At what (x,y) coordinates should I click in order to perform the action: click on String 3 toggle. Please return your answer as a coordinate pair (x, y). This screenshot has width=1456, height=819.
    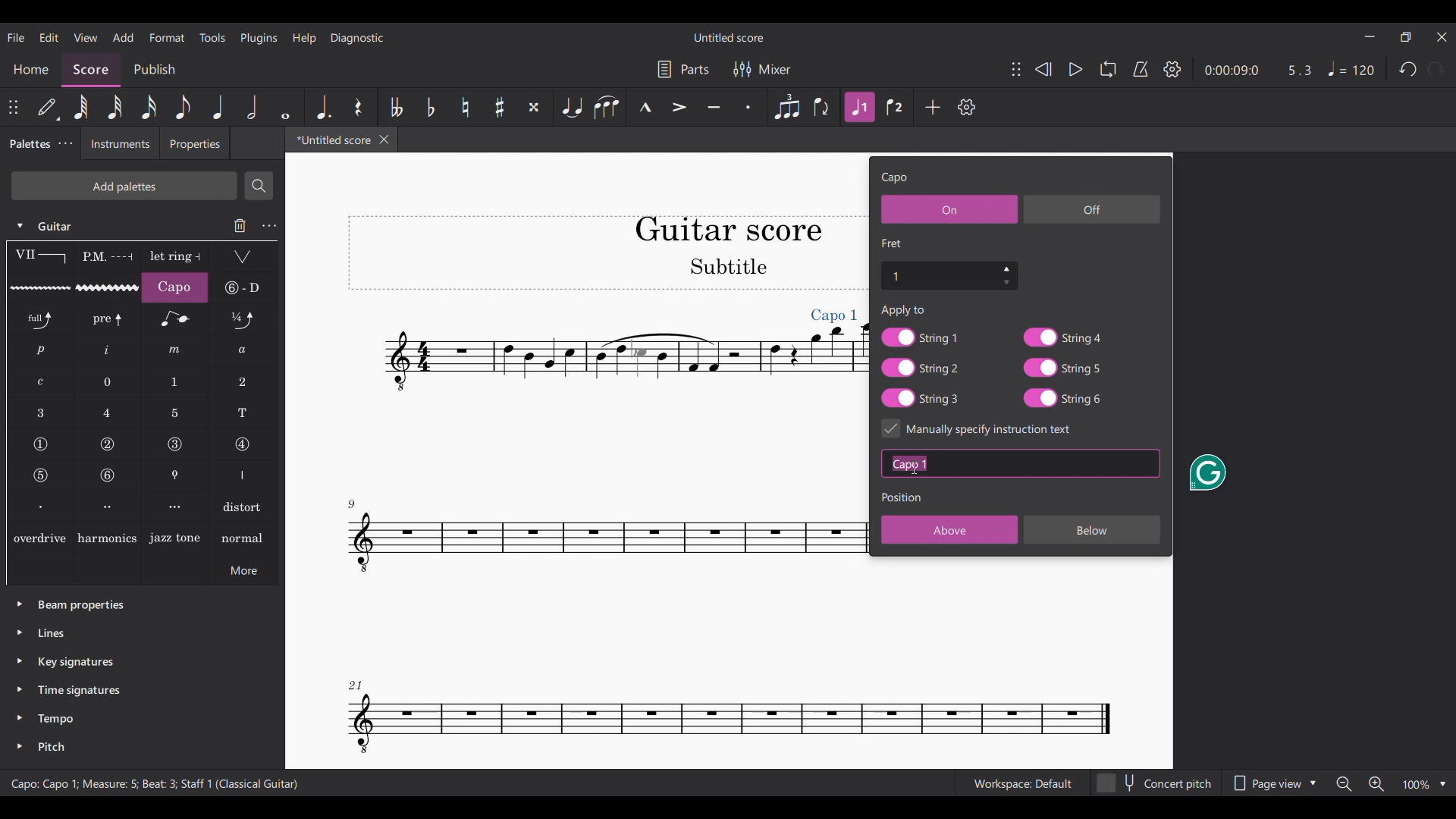
    Looking at the image, I should click on (920, 398).